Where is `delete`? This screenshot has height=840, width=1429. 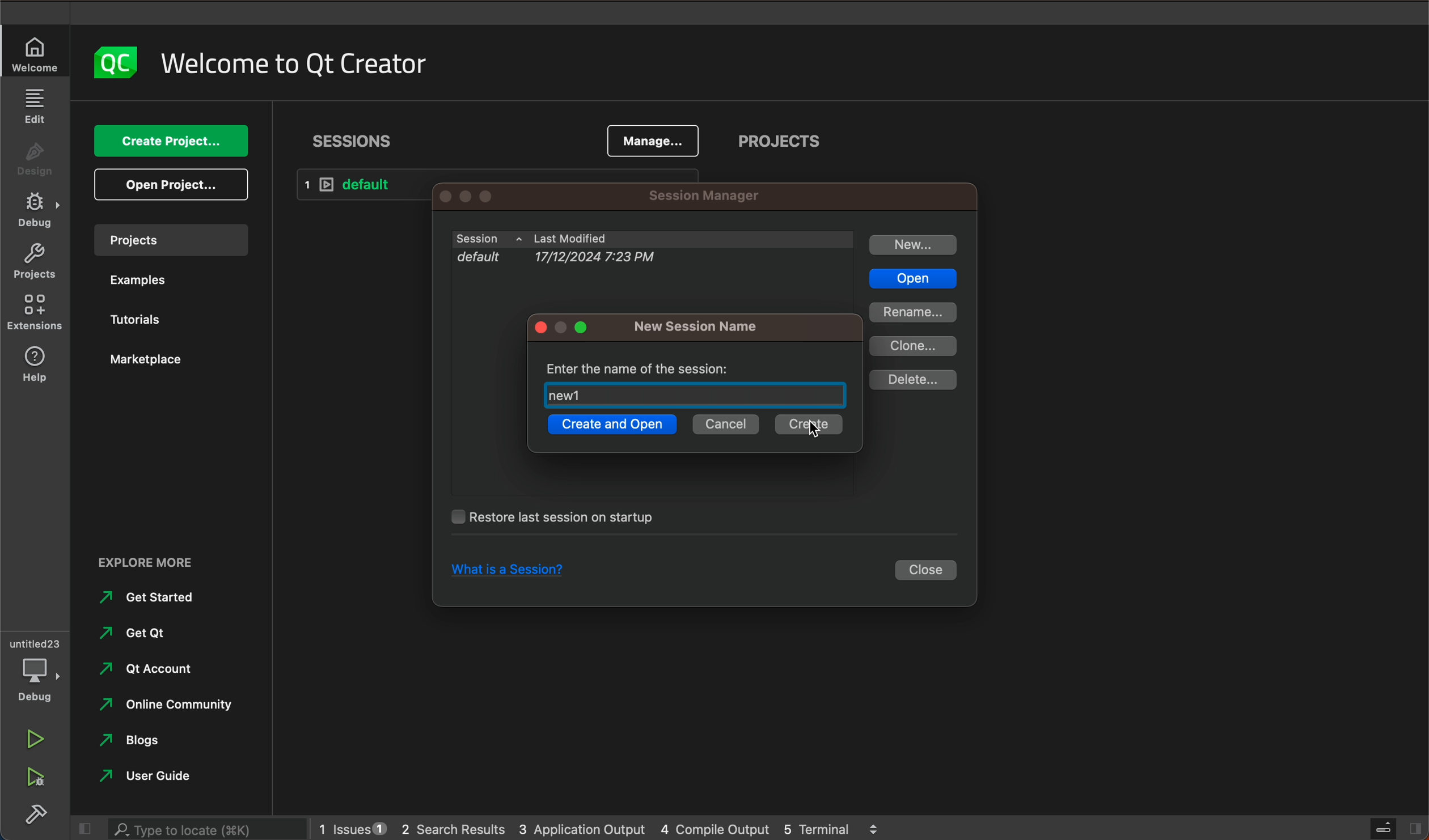
delete is located at coordinates (912, 380).